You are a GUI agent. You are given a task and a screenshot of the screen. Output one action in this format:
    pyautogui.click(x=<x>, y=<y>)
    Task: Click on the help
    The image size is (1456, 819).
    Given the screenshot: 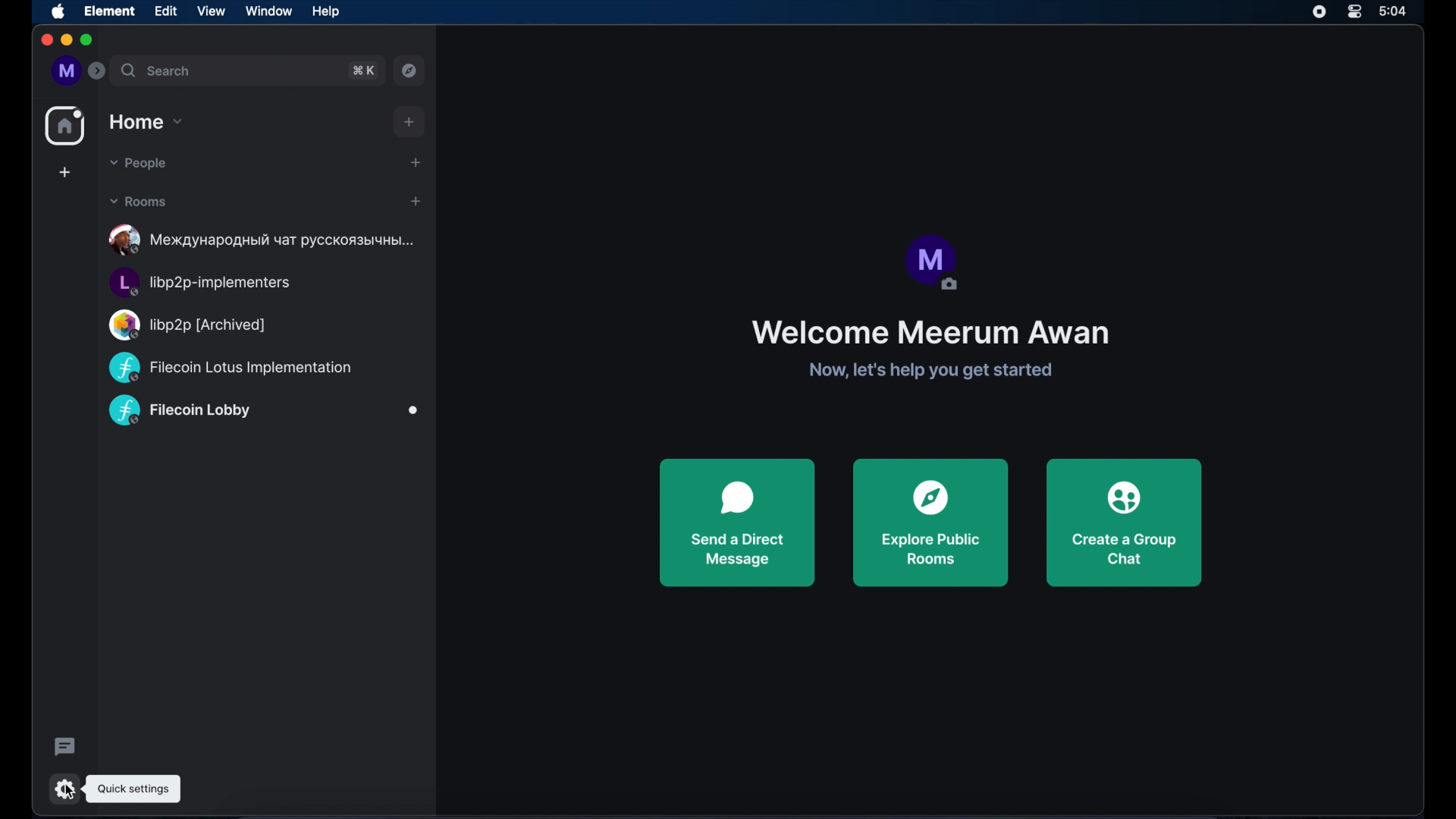 What is the action you would take?
    pyautogui.click(x=325, y=11)
    